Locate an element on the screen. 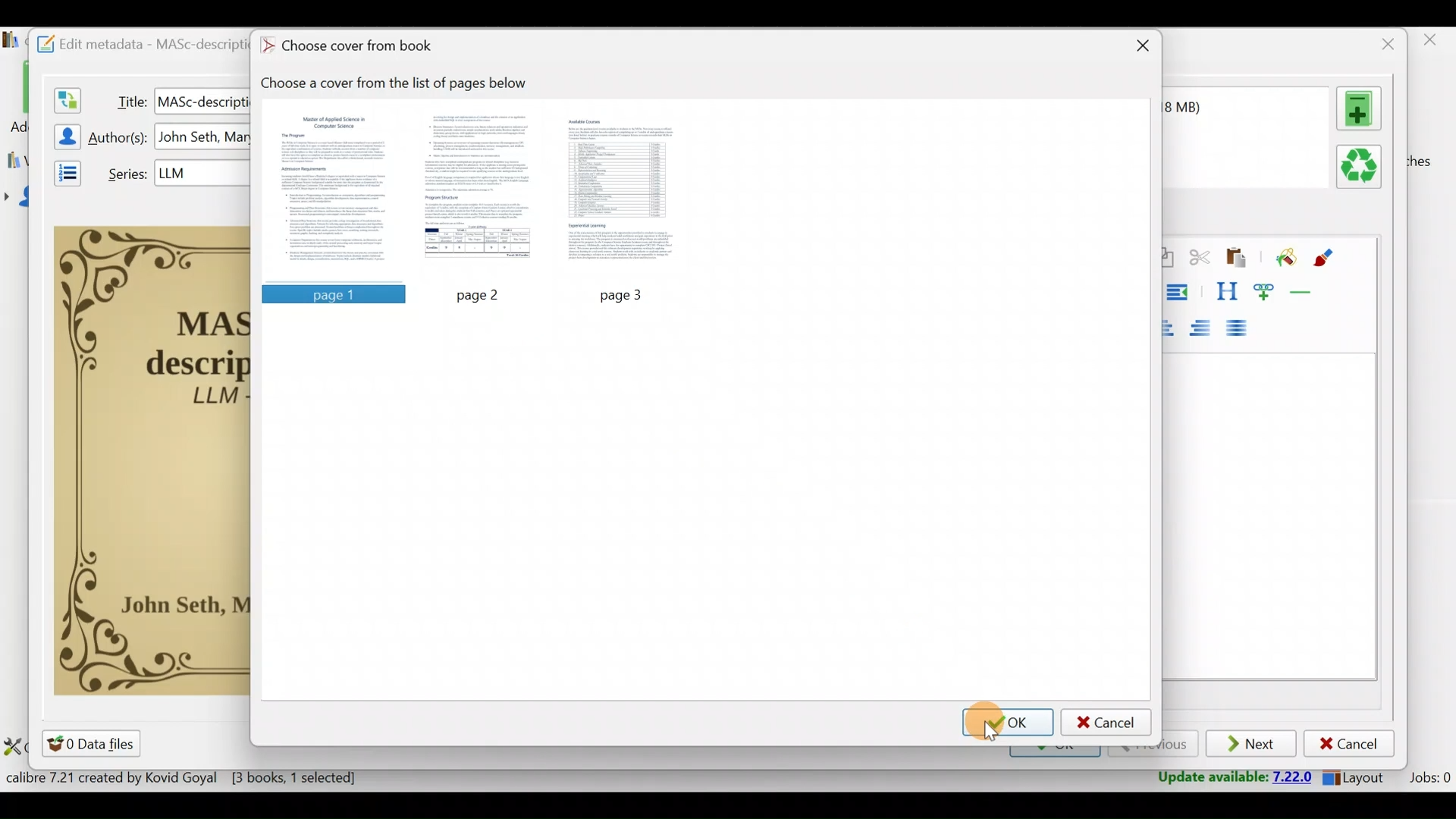 The height and width of the screenshot is (819, 1456). Books count is located at coordinates (185, 780).